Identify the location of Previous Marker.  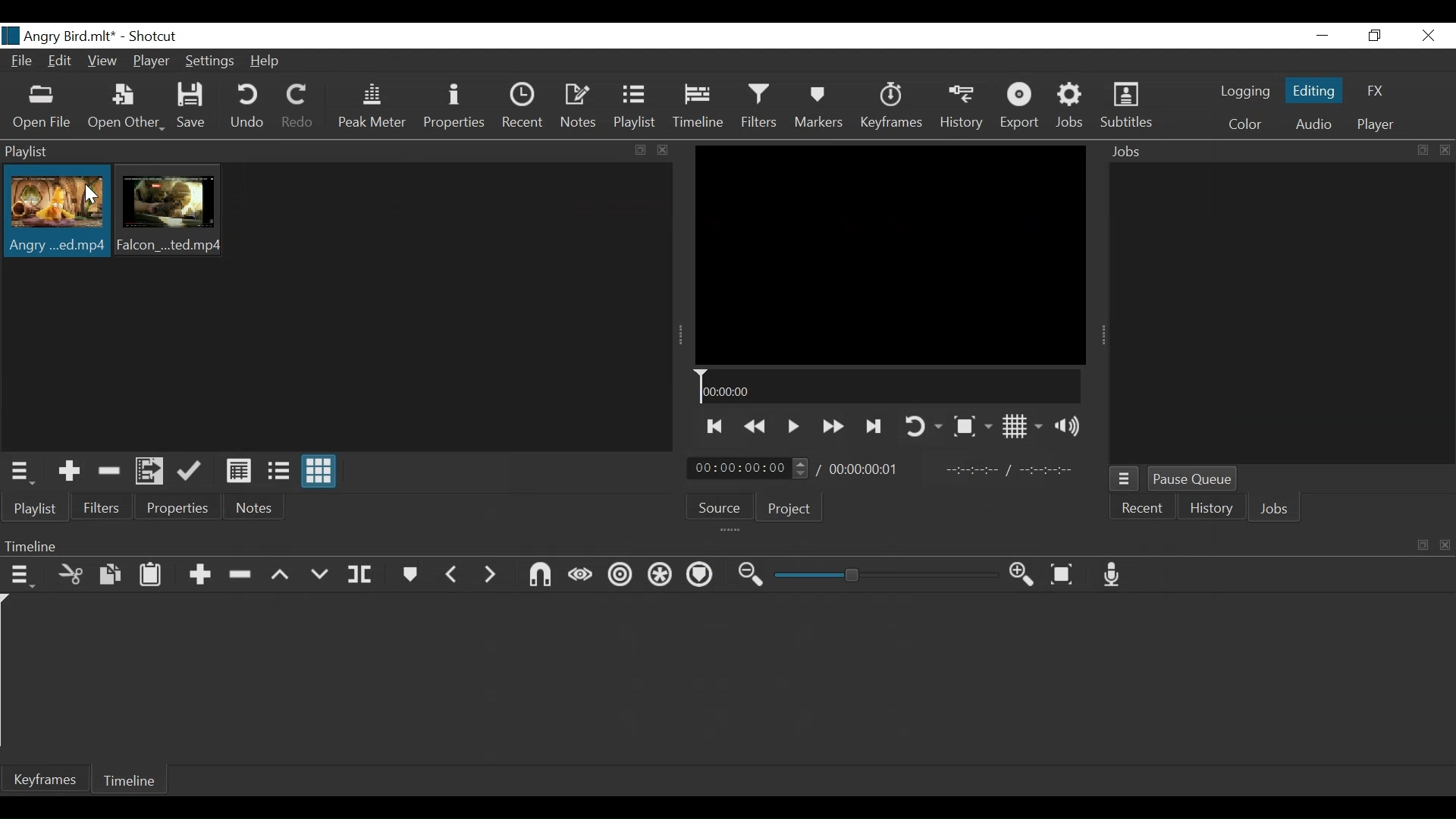
(453, 574).